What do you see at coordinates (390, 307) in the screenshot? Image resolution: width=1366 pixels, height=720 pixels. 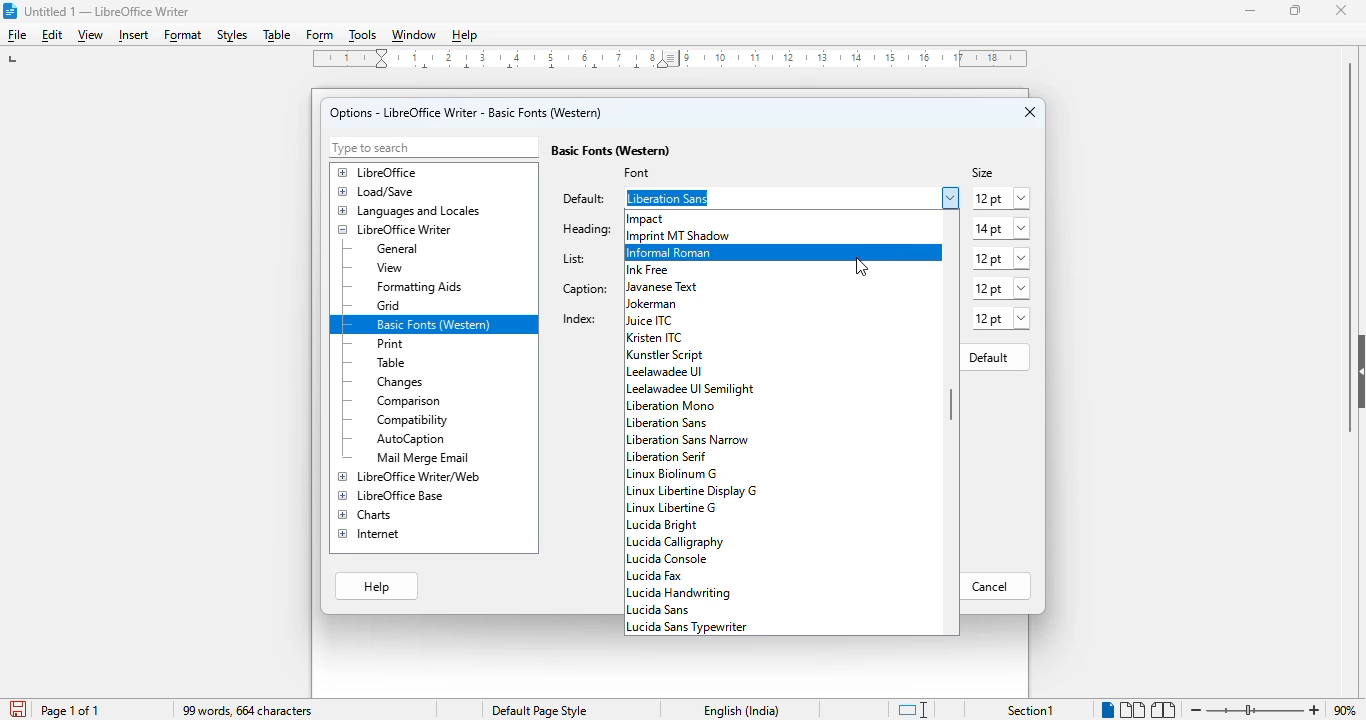 I see `grid` at bounding box center [390, 307].